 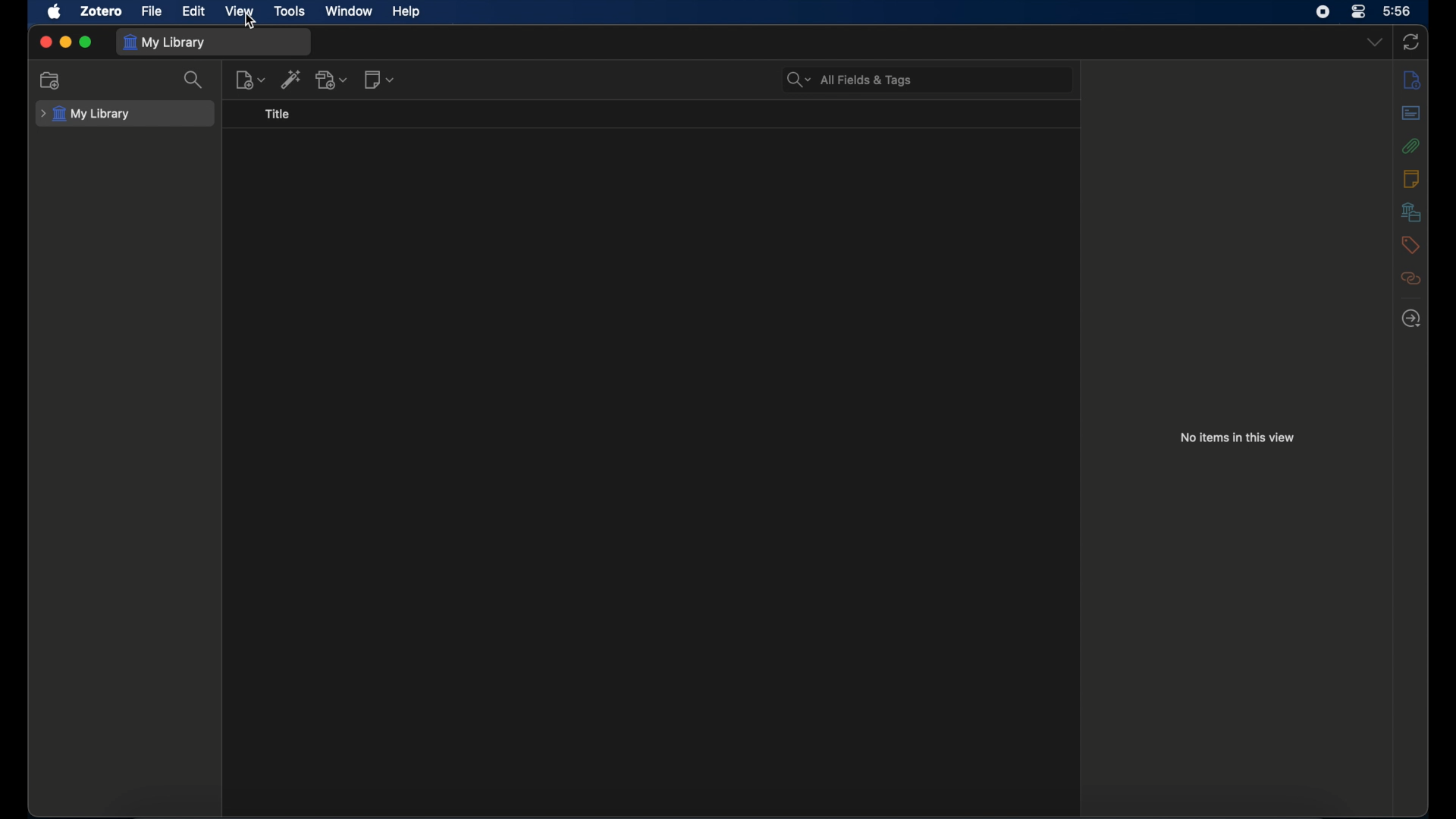 What do you see at coordinates (1237, 437) in the screenshot?
I see `no item in this view` at bounding box center [1237, 437].